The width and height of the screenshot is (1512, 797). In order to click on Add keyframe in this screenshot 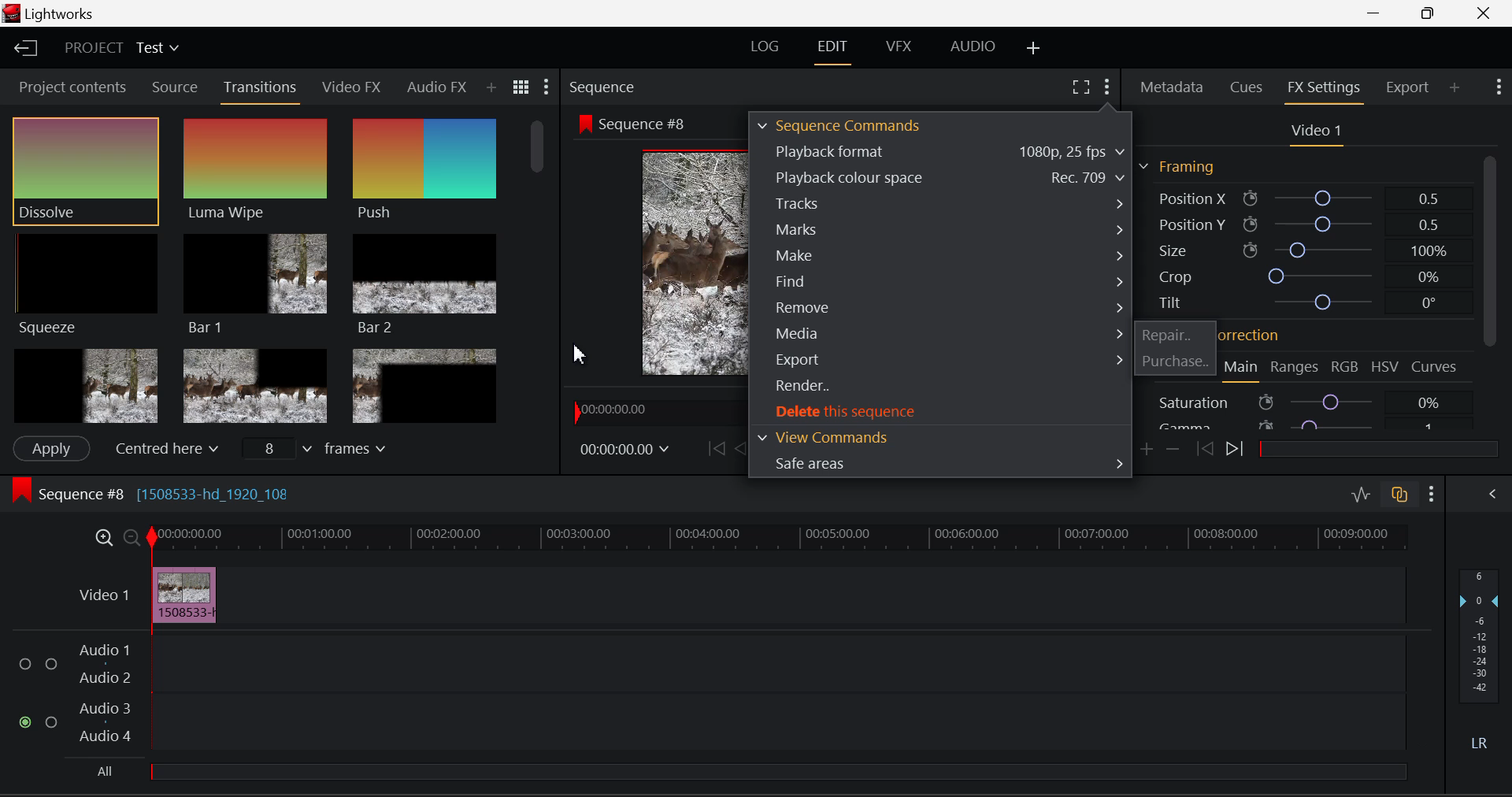, I will do `click(1145, 450)`.